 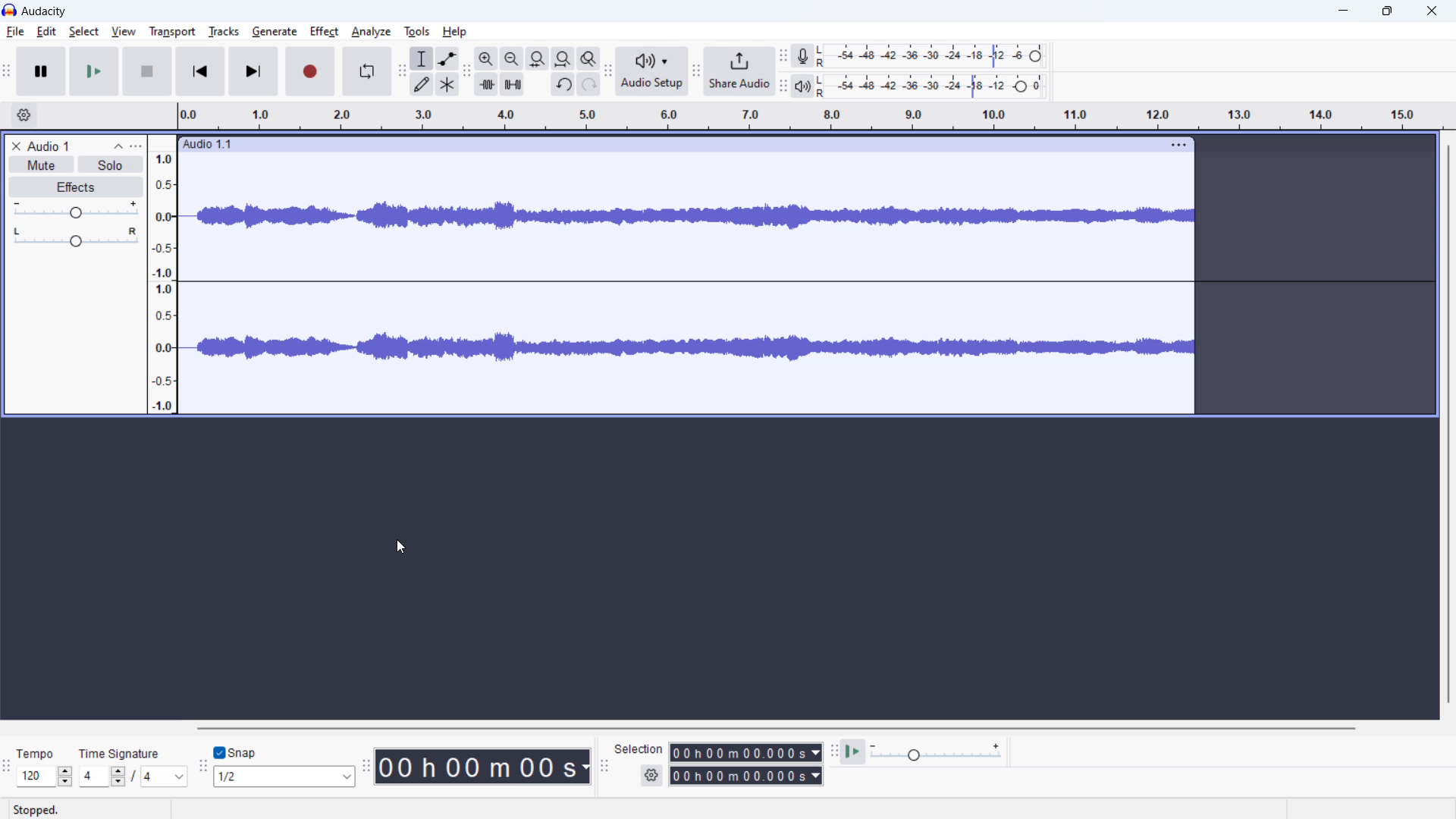 What do you see at coordinates (75, 187) in the screenshot?
I see `effects` at bounding box center [75, 187].